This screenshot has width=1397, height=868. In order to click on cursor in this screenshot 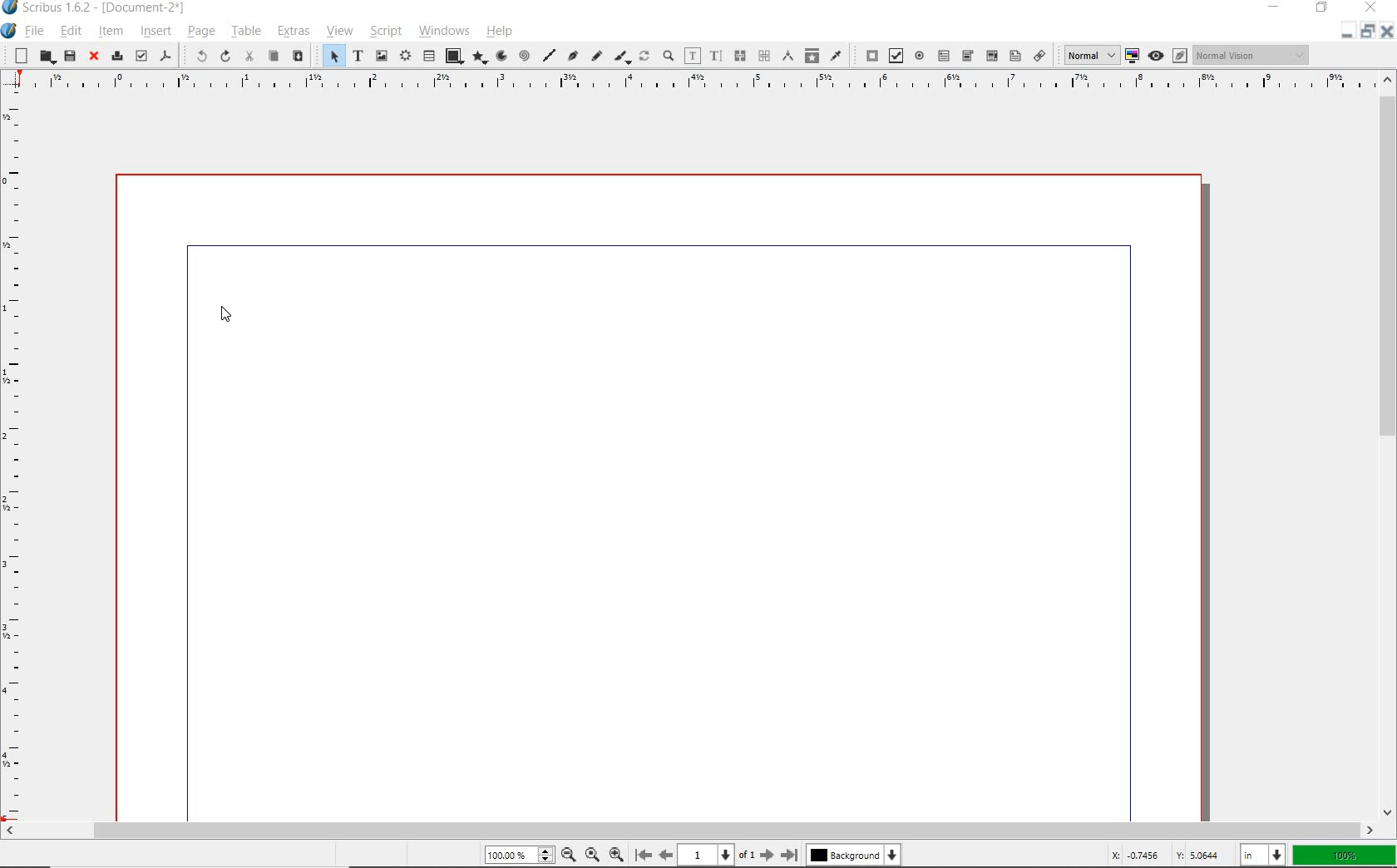, I will do `click(222, 319)`.